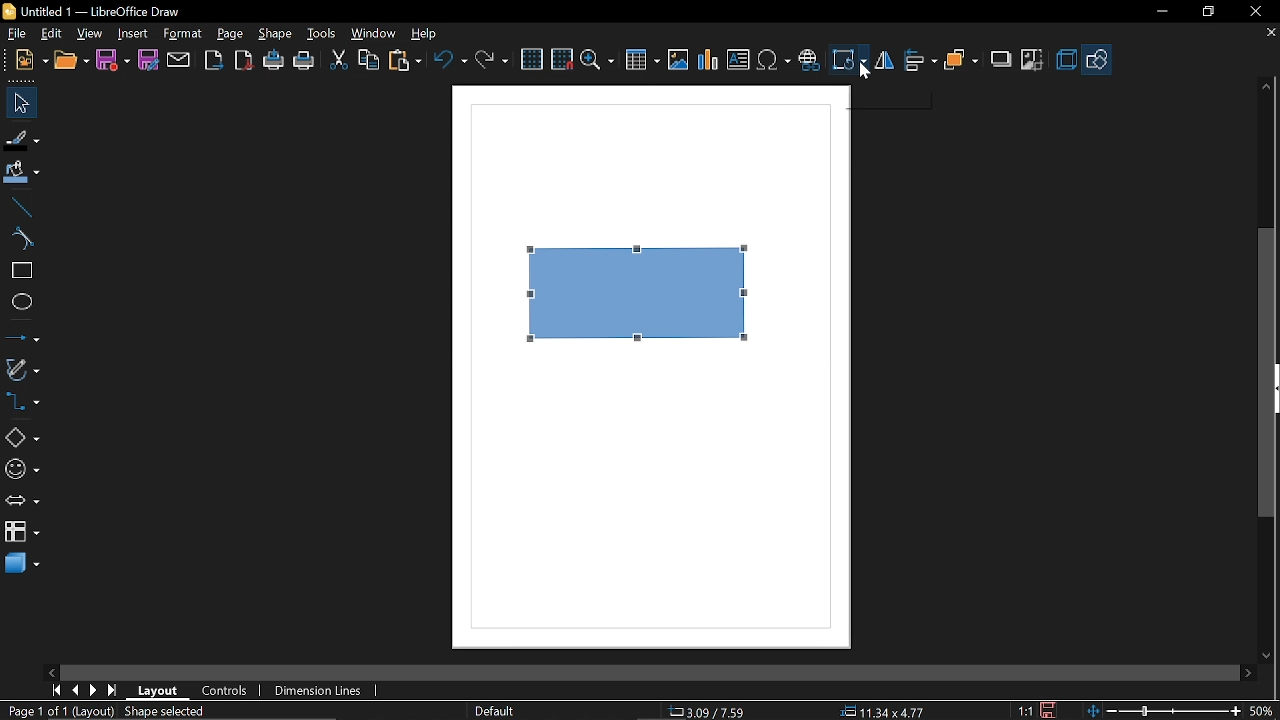 The width and height of the screenshot is (1280, 720). I want to click on Fill color, so click(22, 173).